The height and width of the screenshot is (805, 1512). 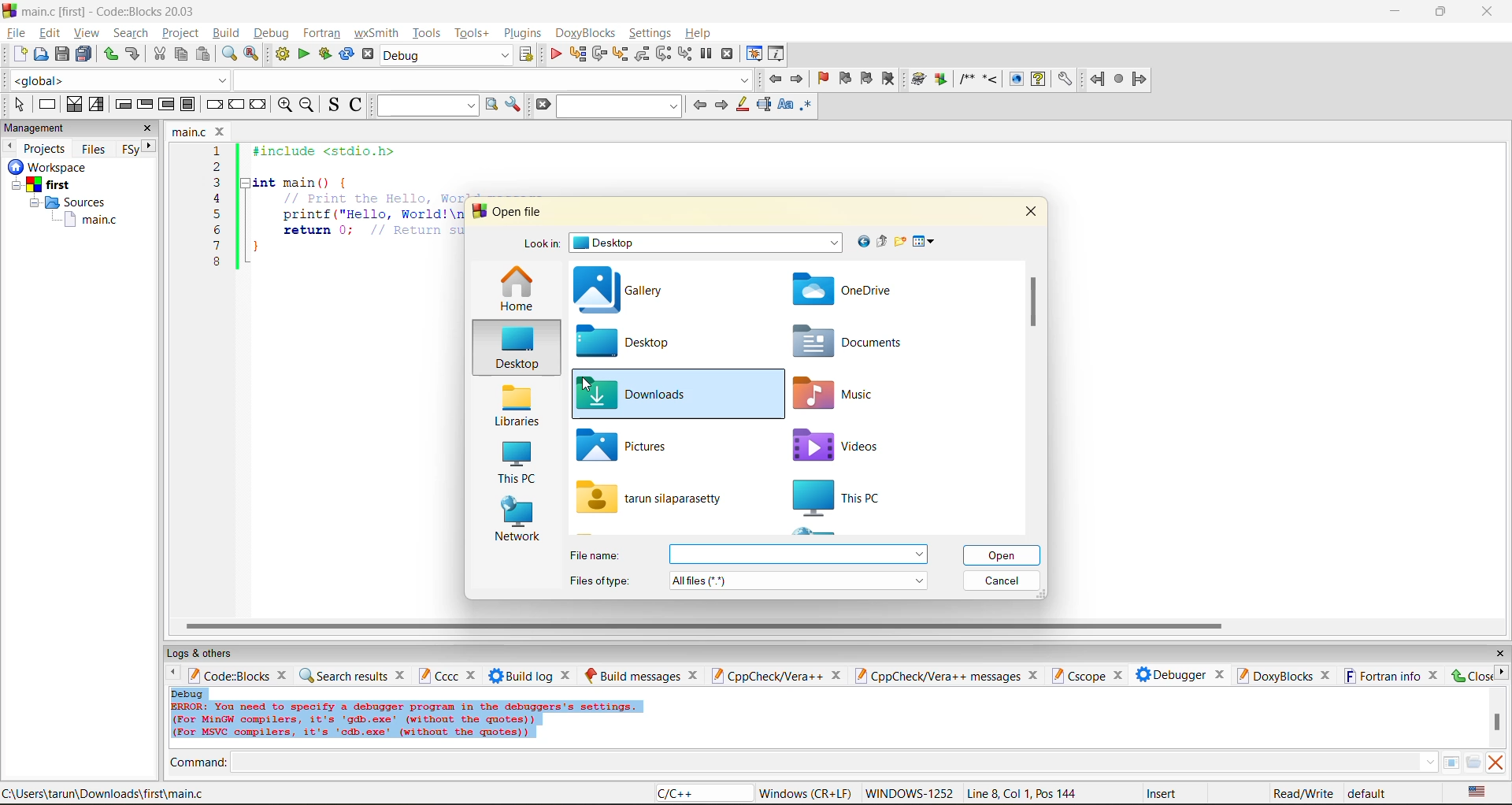 I want to click on text language, so click(x=1478, y=792).